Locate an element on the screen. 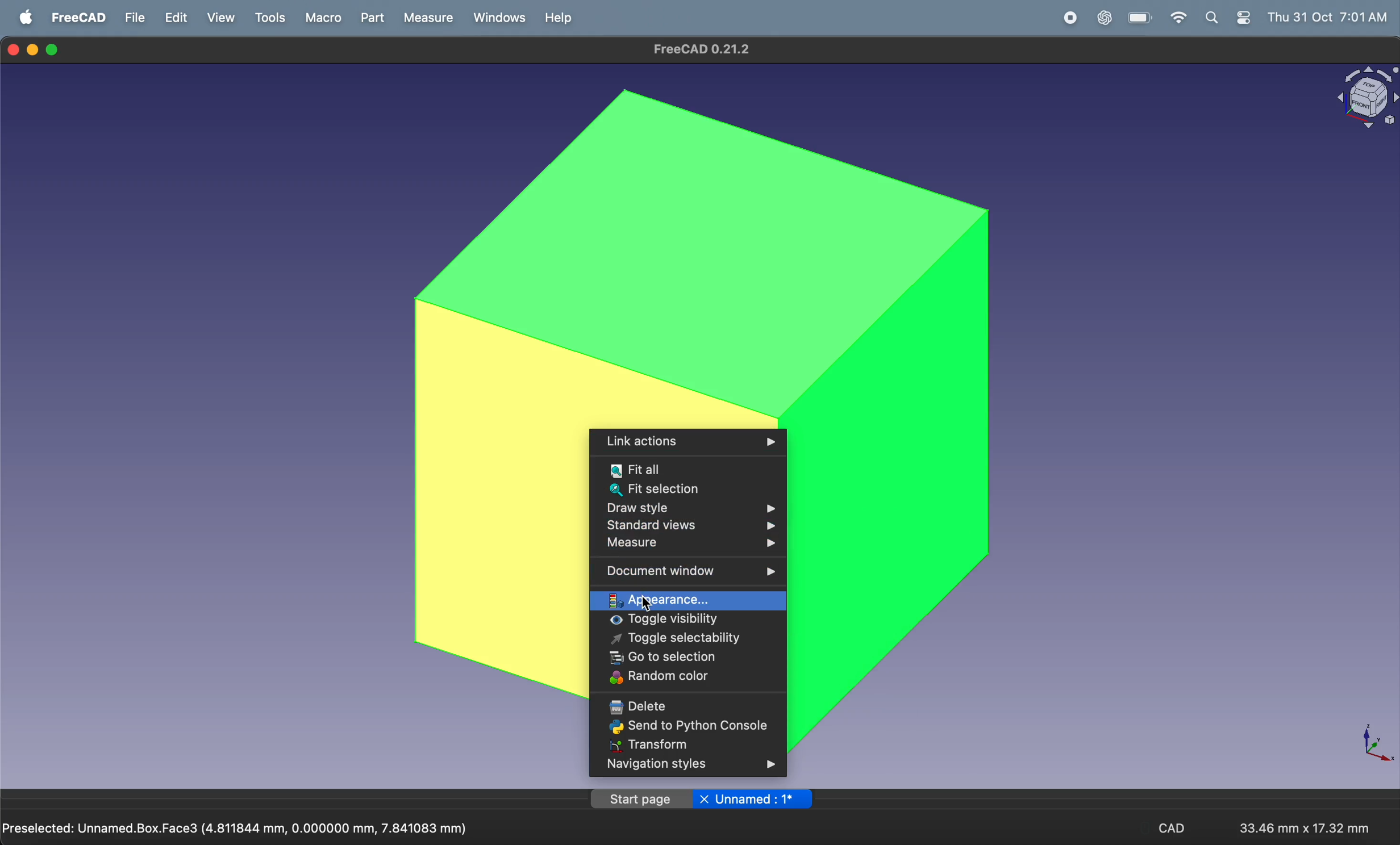 The height and width of the screenshot is (845, 1400). cursor is located at coordinates (645, 602).